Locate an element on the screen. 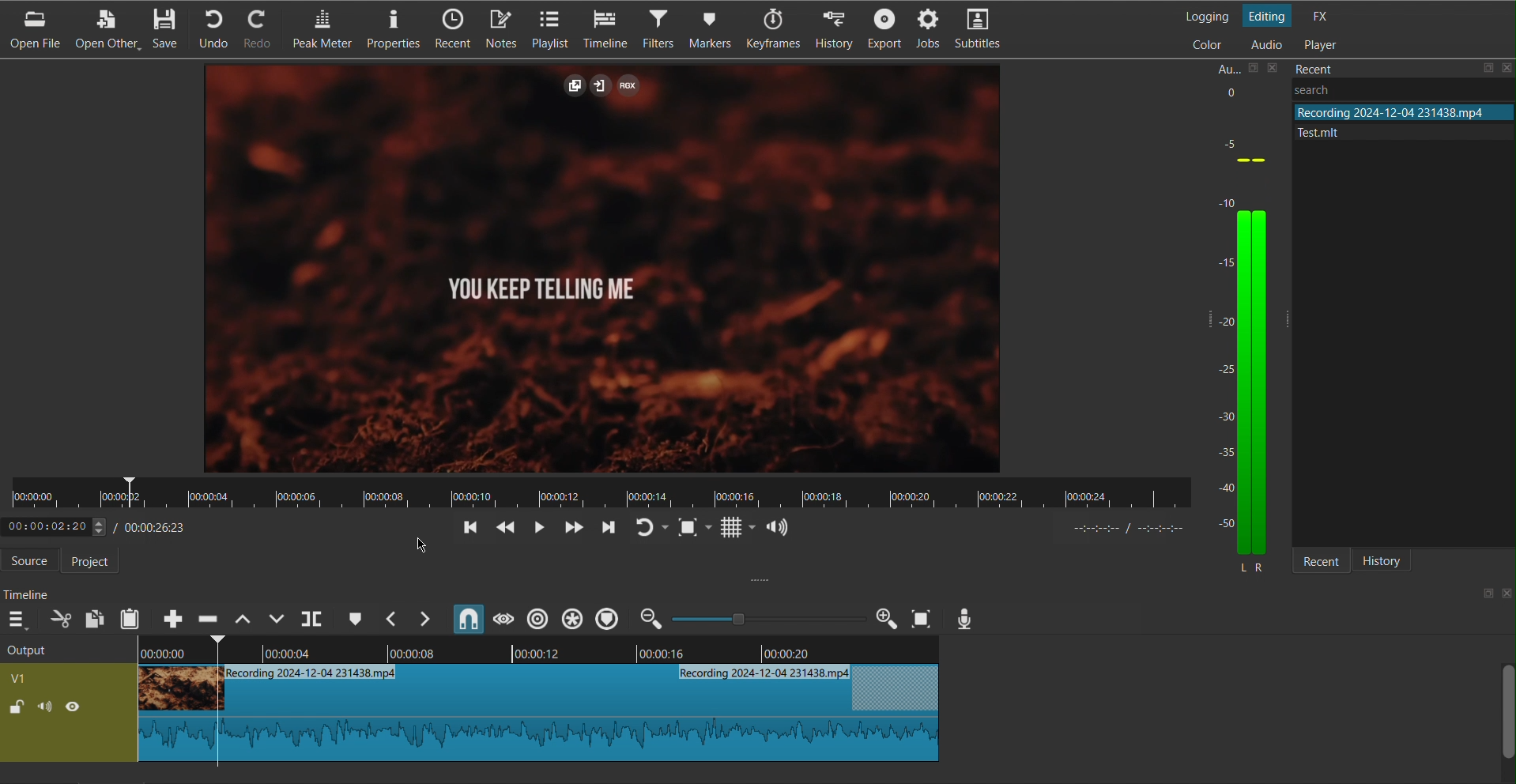 The width and height of the screenshot is (1516, 784). Markers is located at coordinates (710, 31).